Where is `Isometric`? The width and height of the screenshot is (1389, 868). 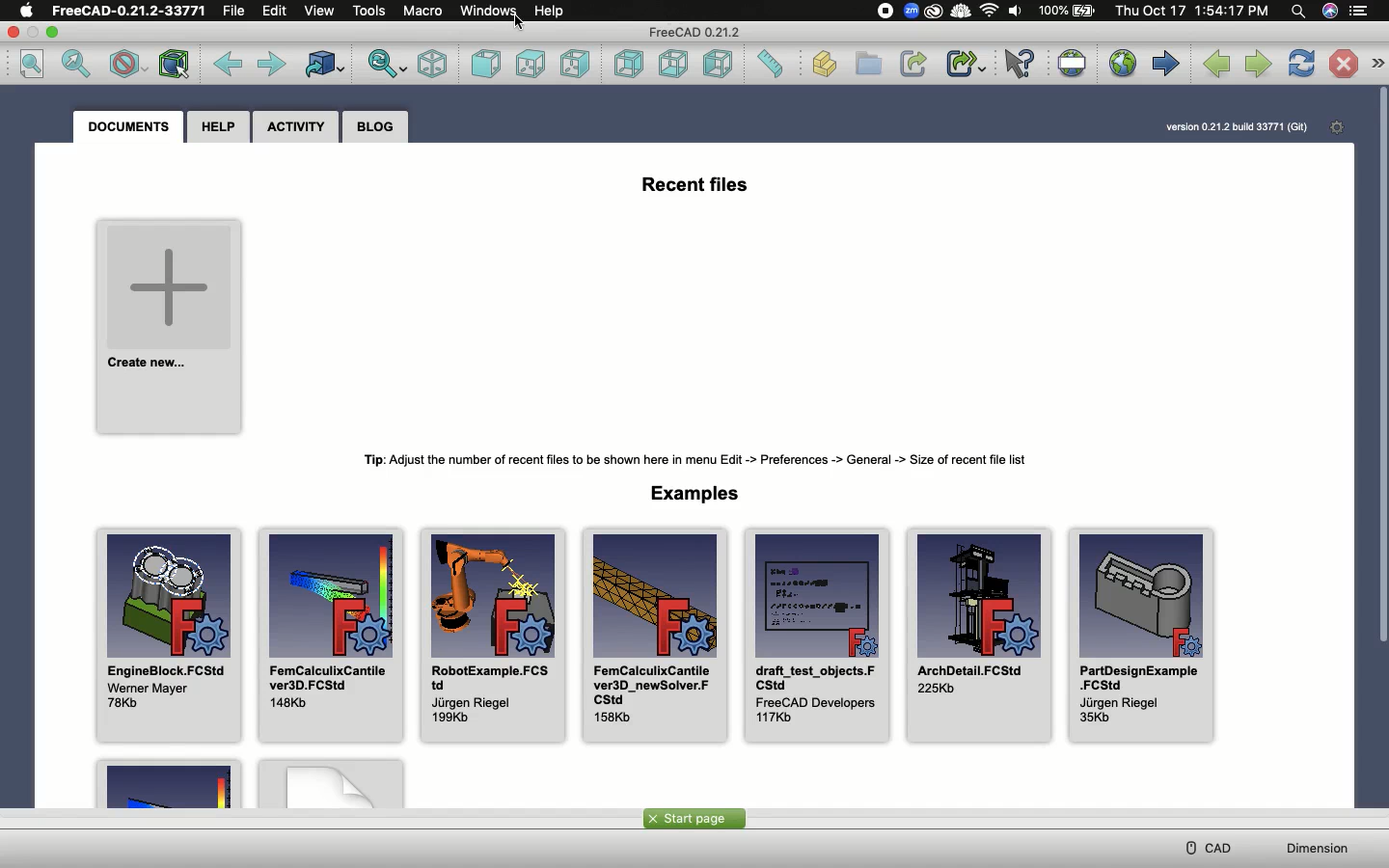
Isometric is located at coordinates (434, 65).